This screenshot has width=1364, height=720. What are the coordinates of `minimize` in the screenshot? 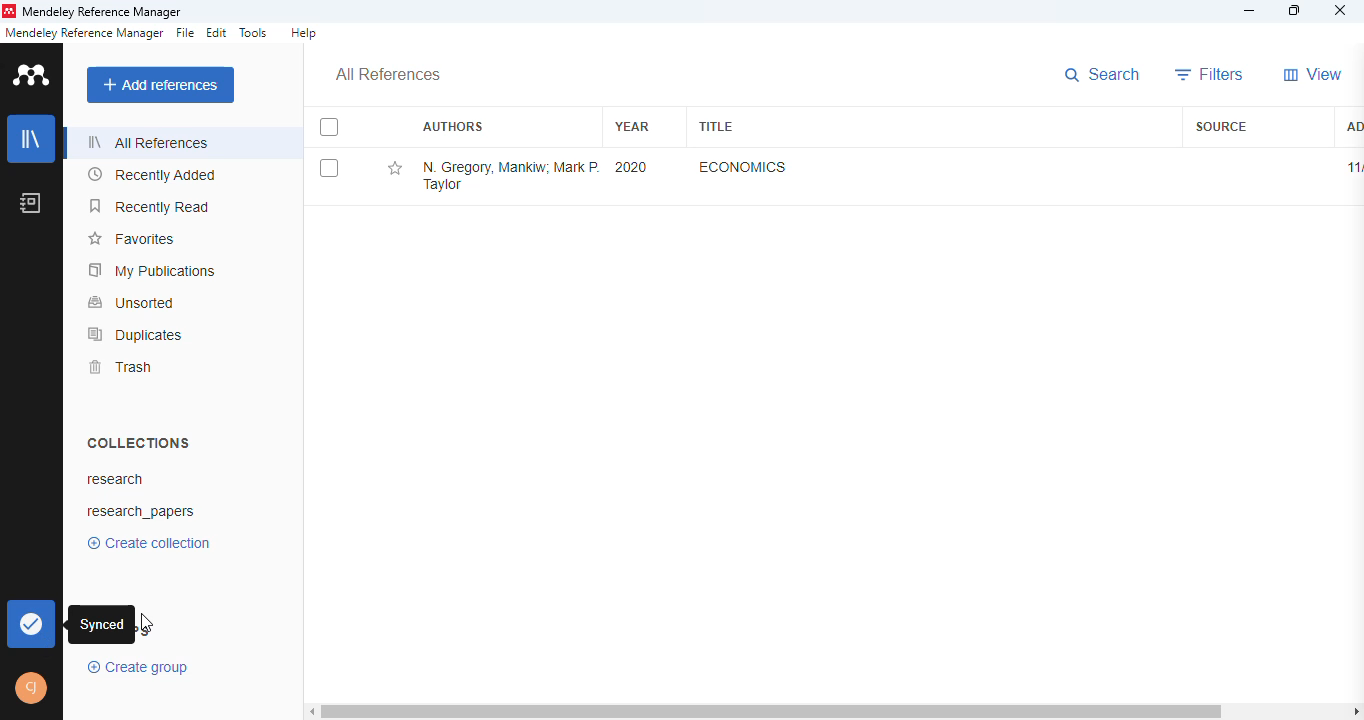 It's located at (1250, 11).